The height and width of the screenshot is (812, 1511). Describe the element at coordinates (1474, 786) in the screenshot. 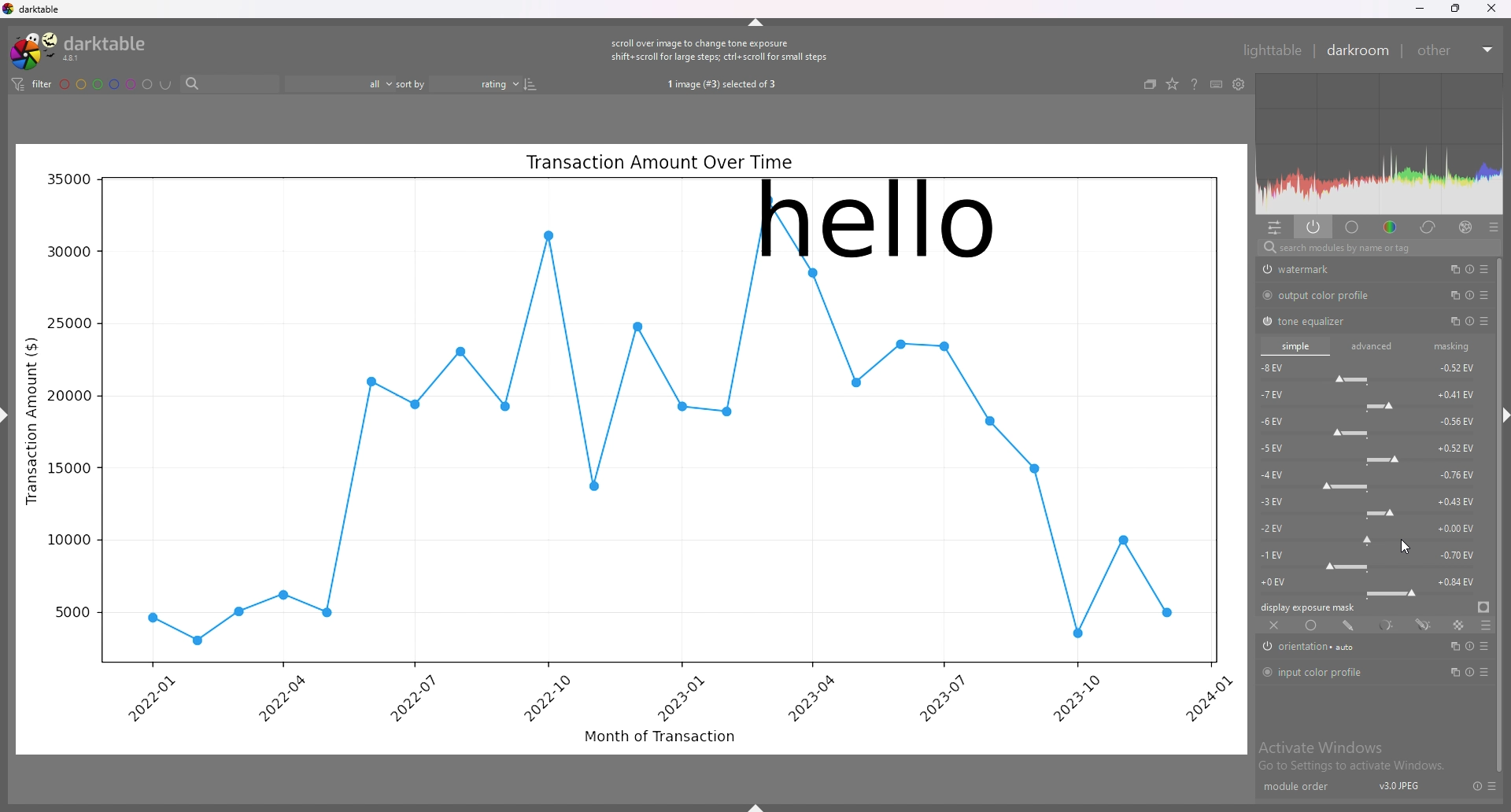

I see `reset` at that location.